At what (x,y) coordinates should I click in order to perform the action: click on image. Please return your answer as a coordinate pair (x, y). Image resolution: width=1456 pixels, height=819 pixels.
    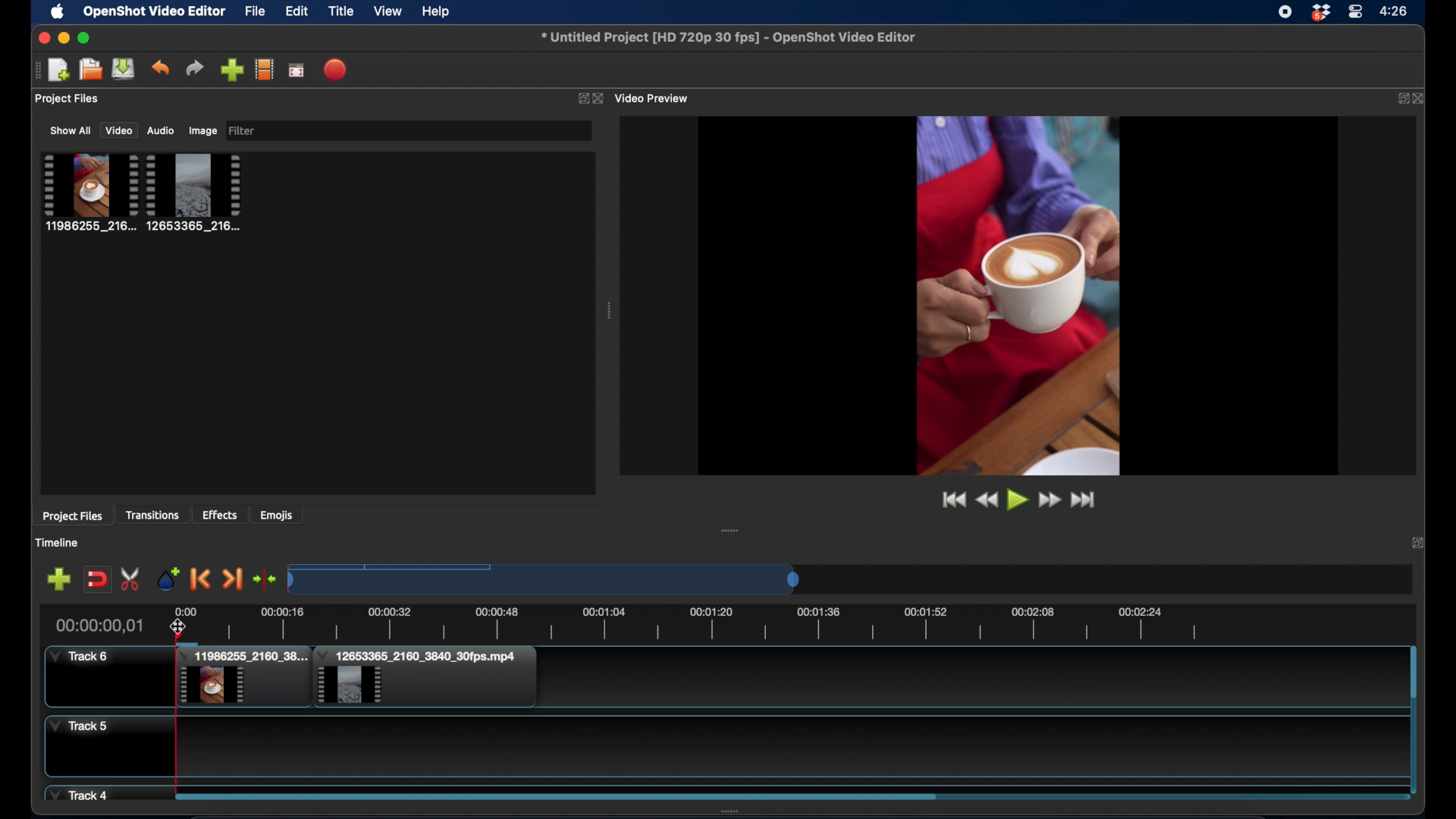
    Looking at the image, I should click on (202, 130).